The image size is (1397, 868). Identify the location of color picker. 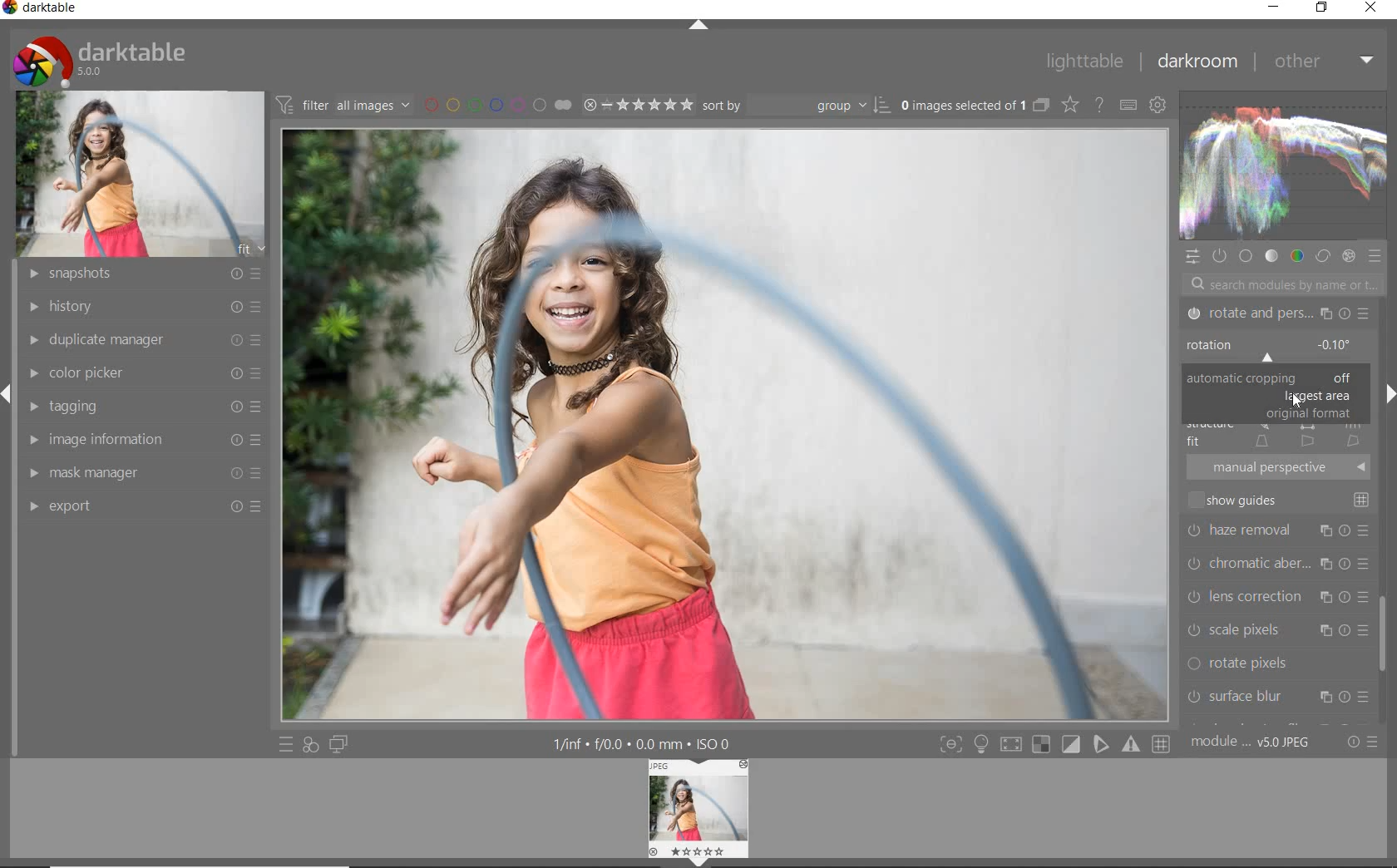
(142, 372).